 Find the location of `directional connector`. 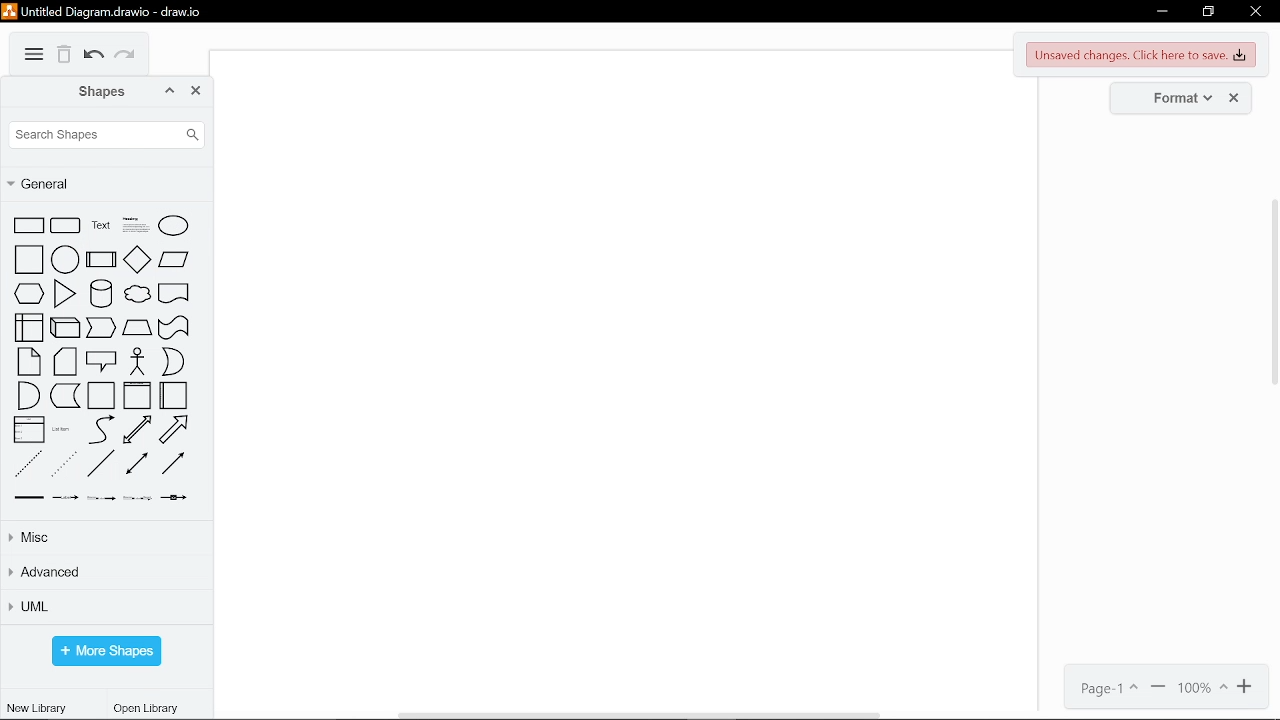

directional connector is located at coordinates (174, 465).